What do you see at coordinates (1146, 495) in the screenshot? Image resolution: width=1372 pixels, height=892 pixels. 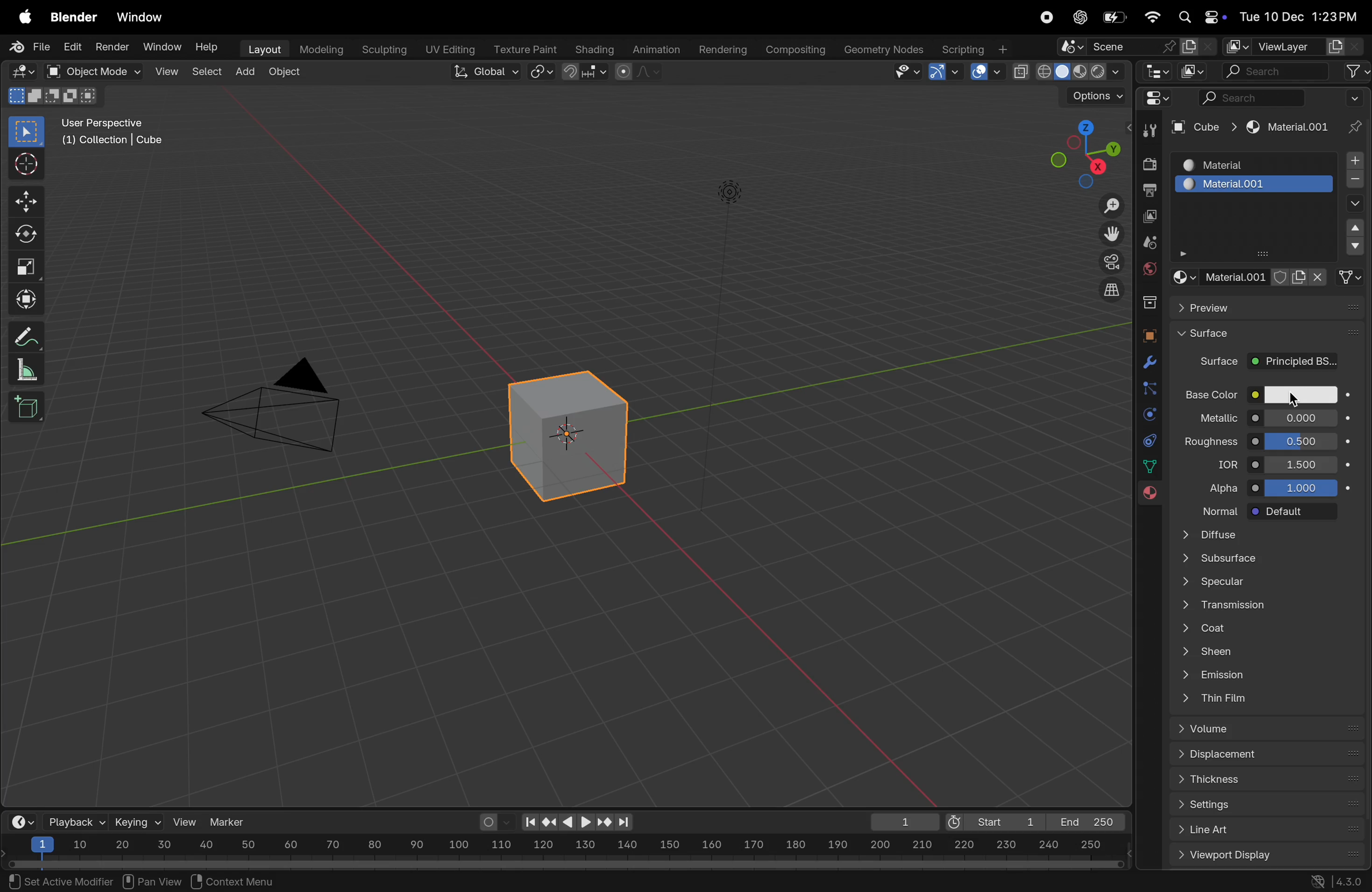 I see `material` at bounding box center [1146, 495].